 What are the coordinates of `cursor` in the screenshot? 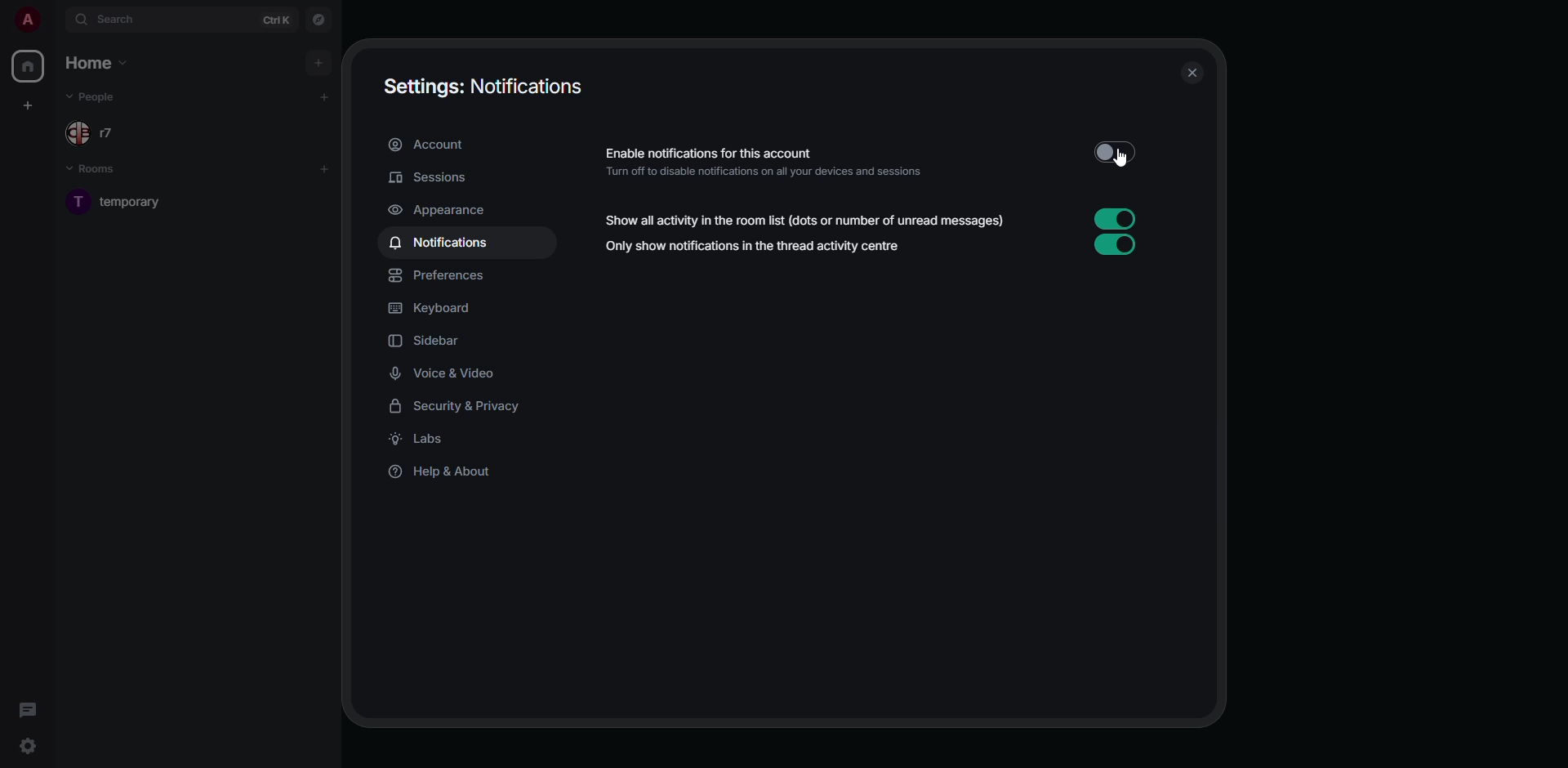 It's located at (1128, 159).